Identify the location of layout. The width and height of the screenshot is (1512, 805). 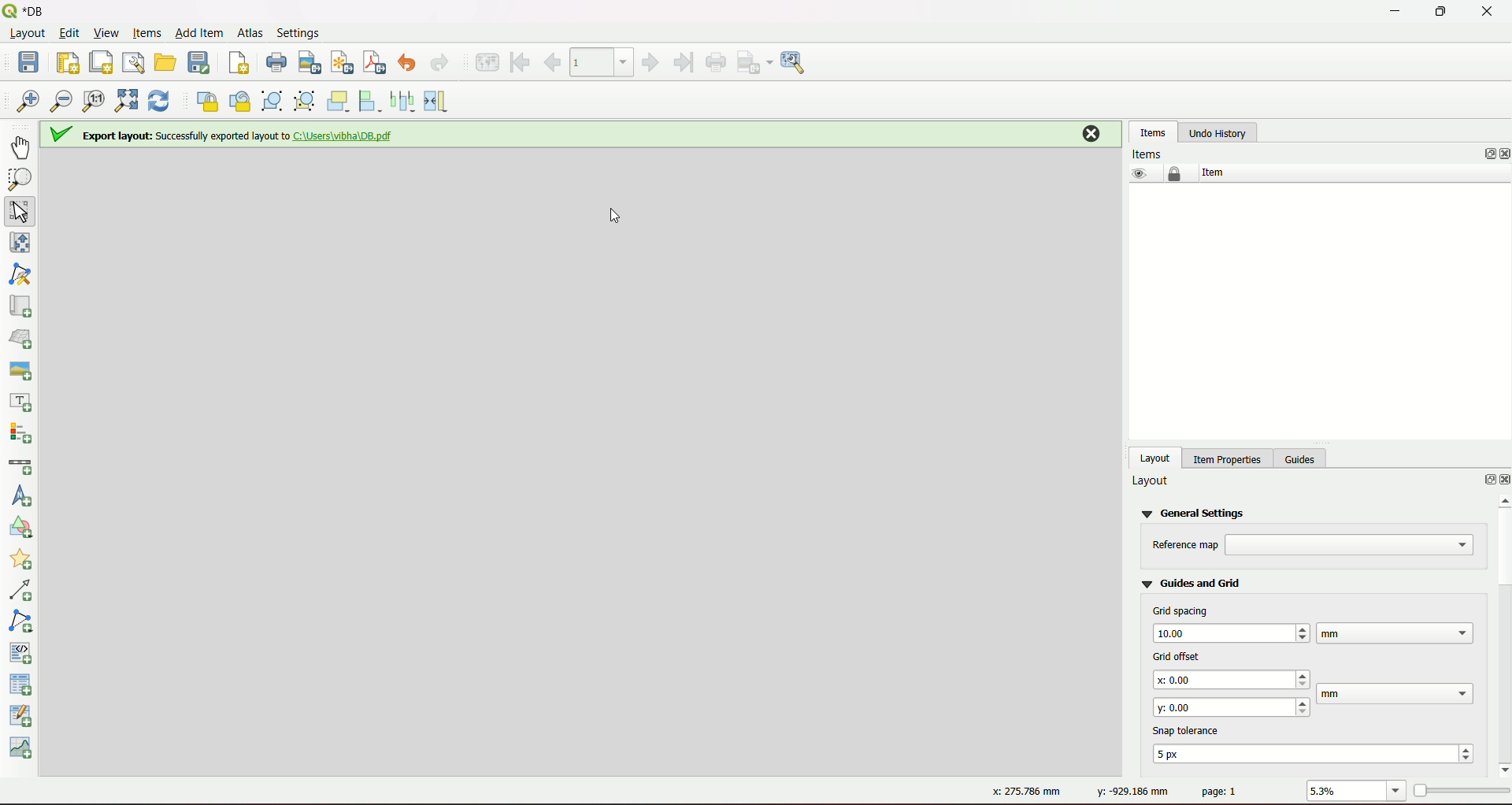
(1156, 457).